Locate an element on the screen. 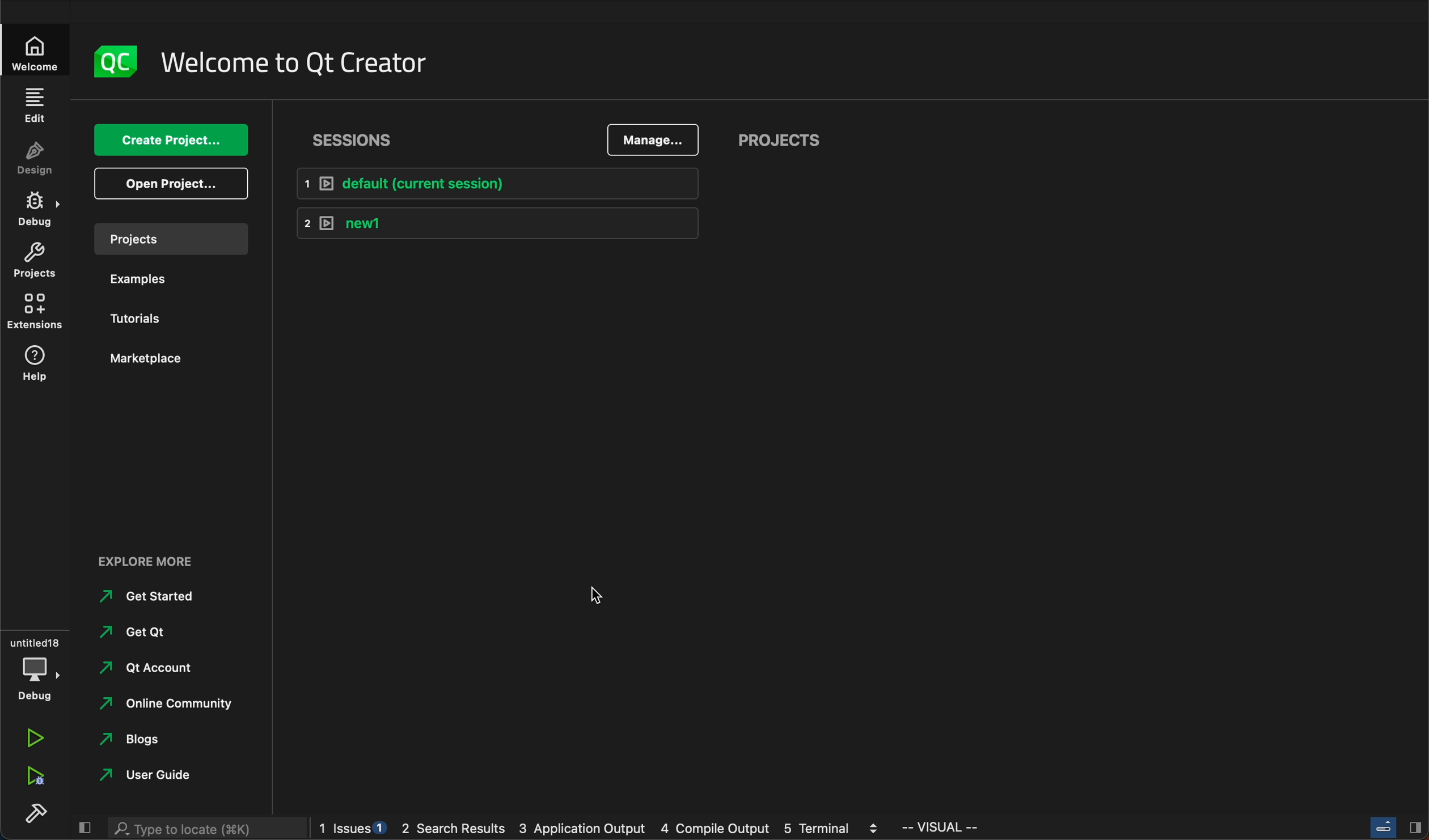  Cursor is located at coordinates (596, 596).